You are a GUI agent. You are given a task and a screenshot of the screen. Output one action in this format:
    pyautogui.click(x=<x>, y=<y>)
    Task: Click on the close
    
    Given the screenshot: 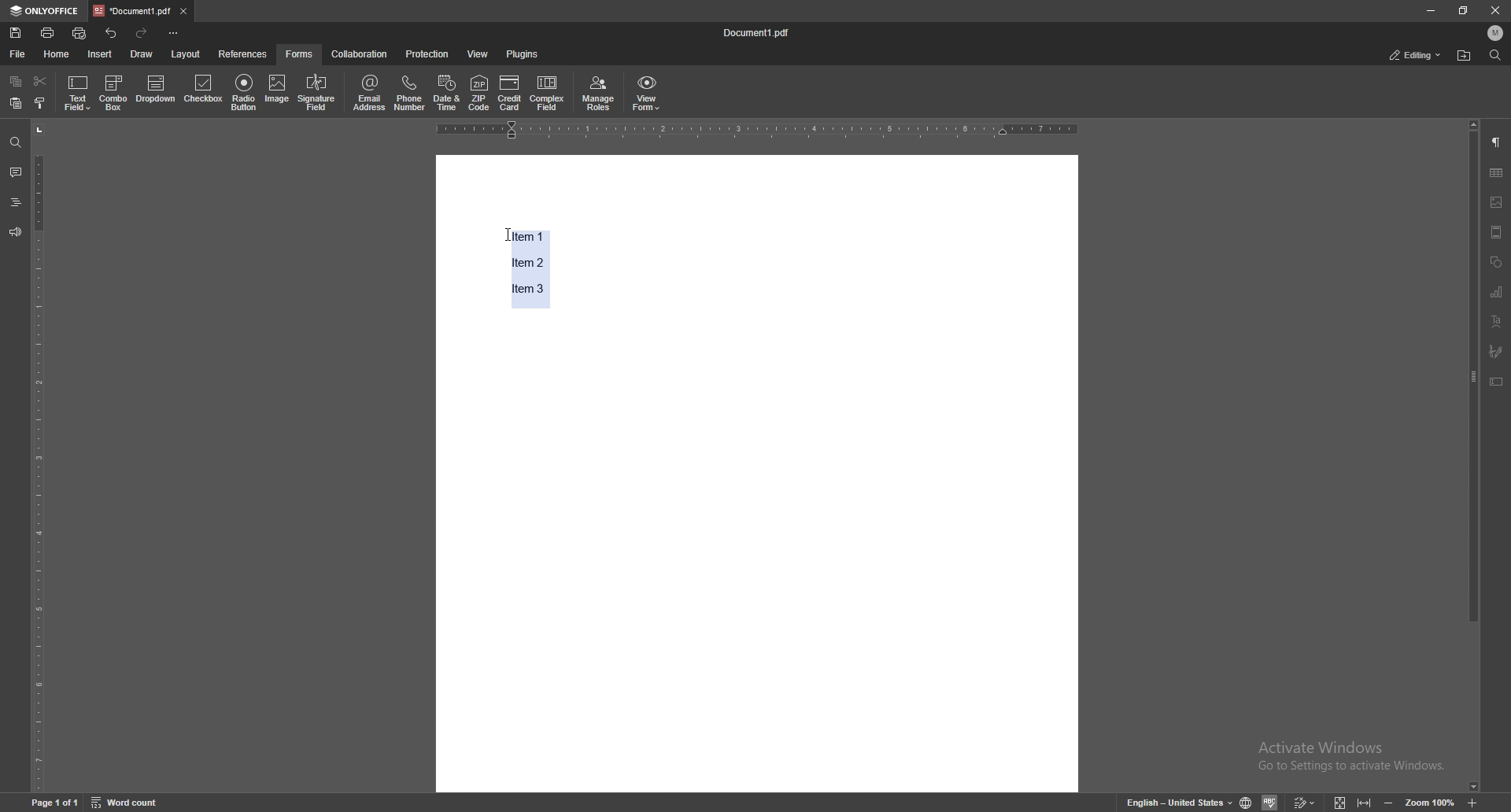 What is the action you would take?
    pyautogui.click(x=1494, y=10)
    